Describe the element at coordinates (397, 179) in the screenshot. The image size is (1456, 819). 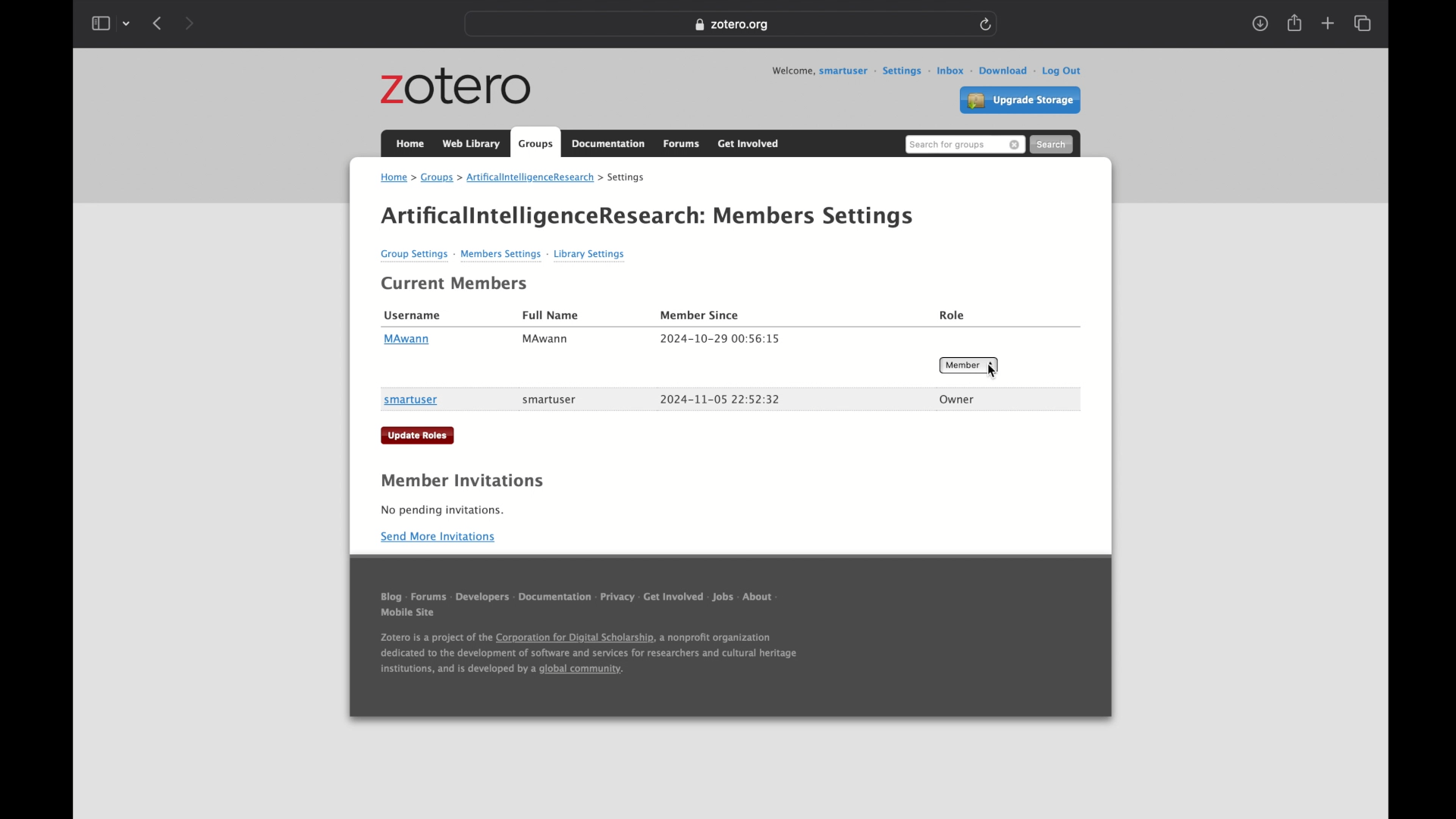
I see `home` at that location.